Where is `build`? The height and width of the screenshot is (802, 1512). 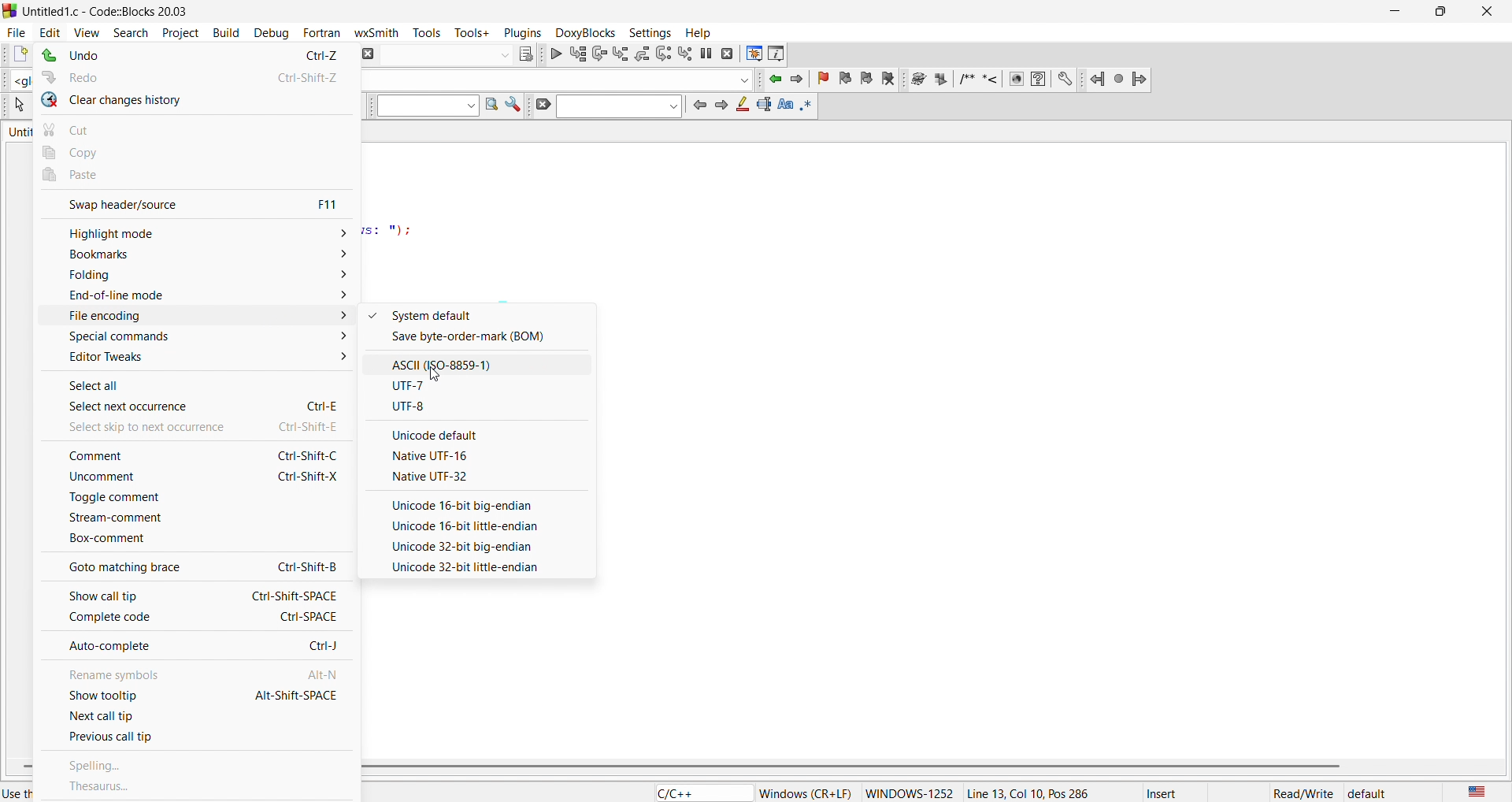
build is located at coordinates (227, 35).